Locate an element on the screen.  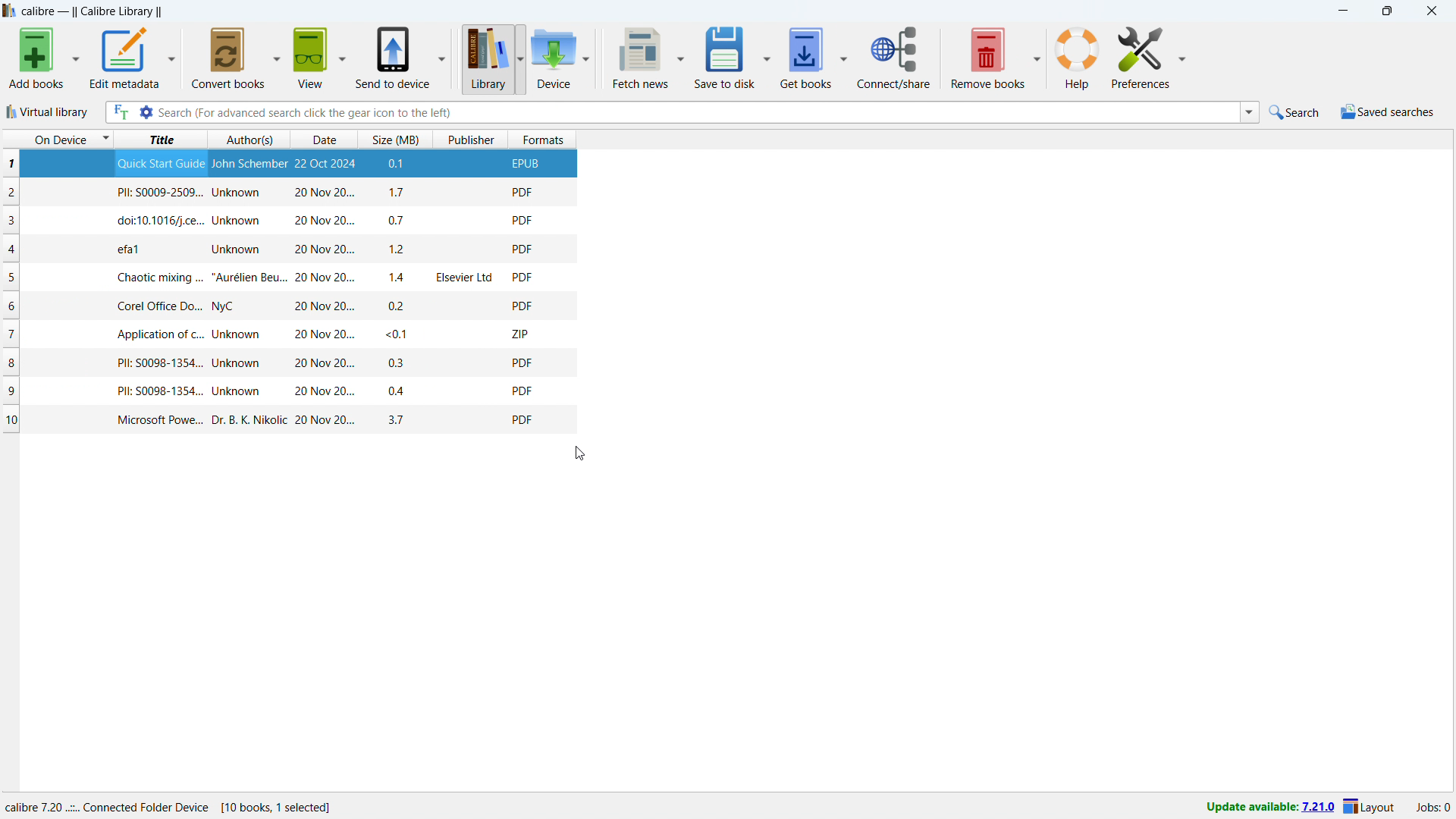
close is located at coordinates (1431, 11).